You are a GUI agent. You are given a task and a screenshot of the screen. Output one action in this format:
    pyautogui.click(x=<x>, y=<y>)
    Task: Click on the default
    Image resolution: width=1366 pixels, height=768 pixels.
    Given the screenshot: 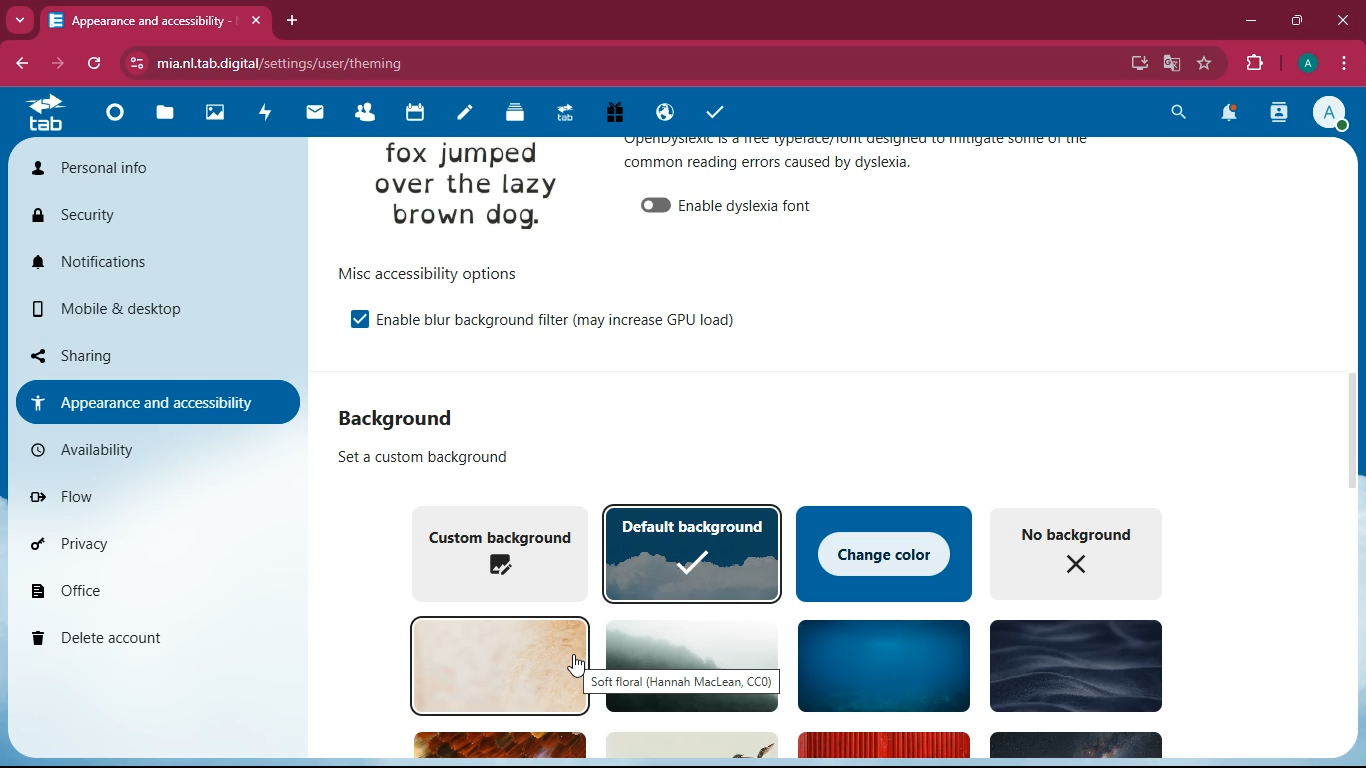 What is the action you would take?
    pyautogui.click(x=689, y=549)
    